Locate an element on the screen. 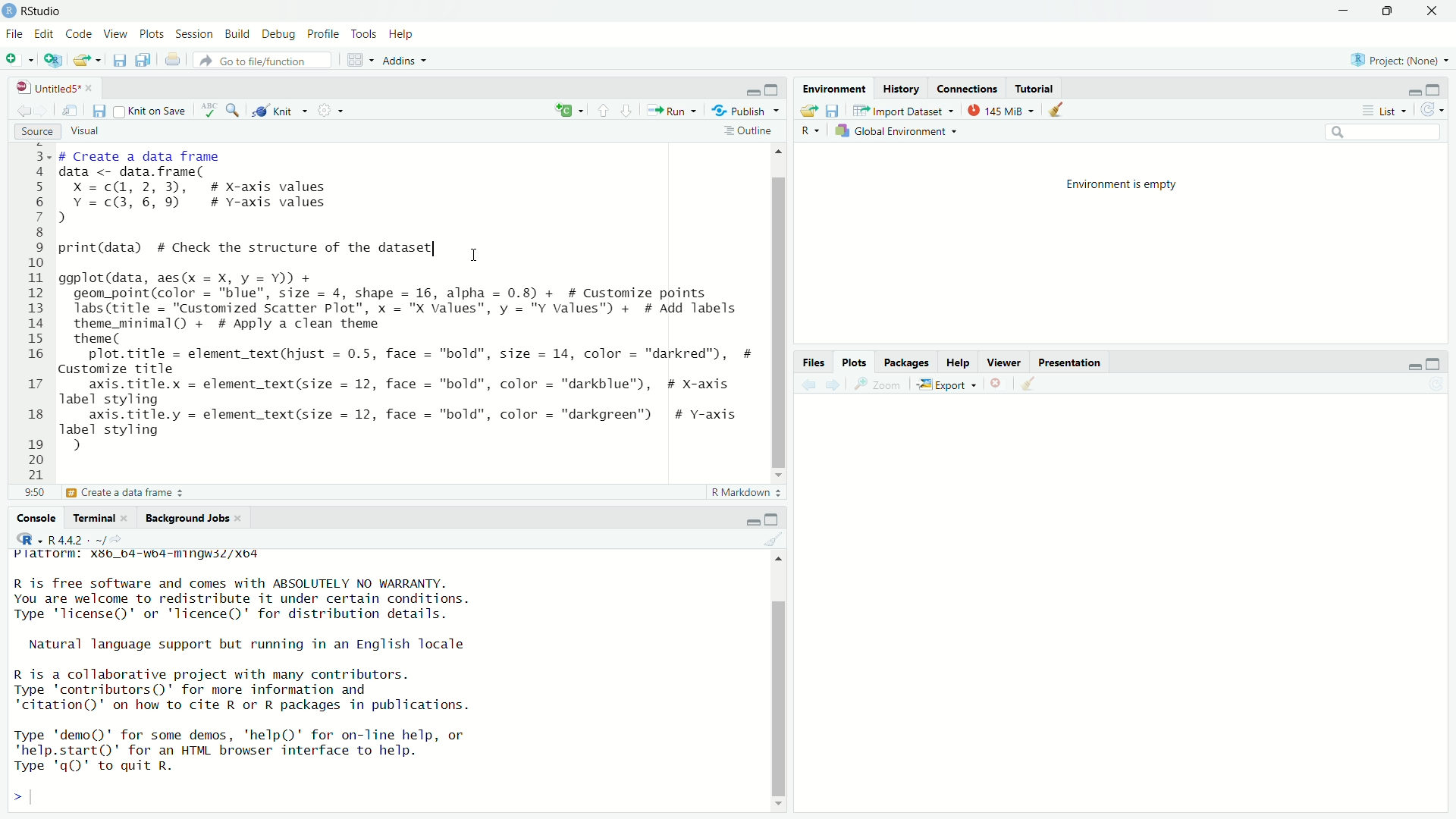  Forward is located at coordinates (831, 385).